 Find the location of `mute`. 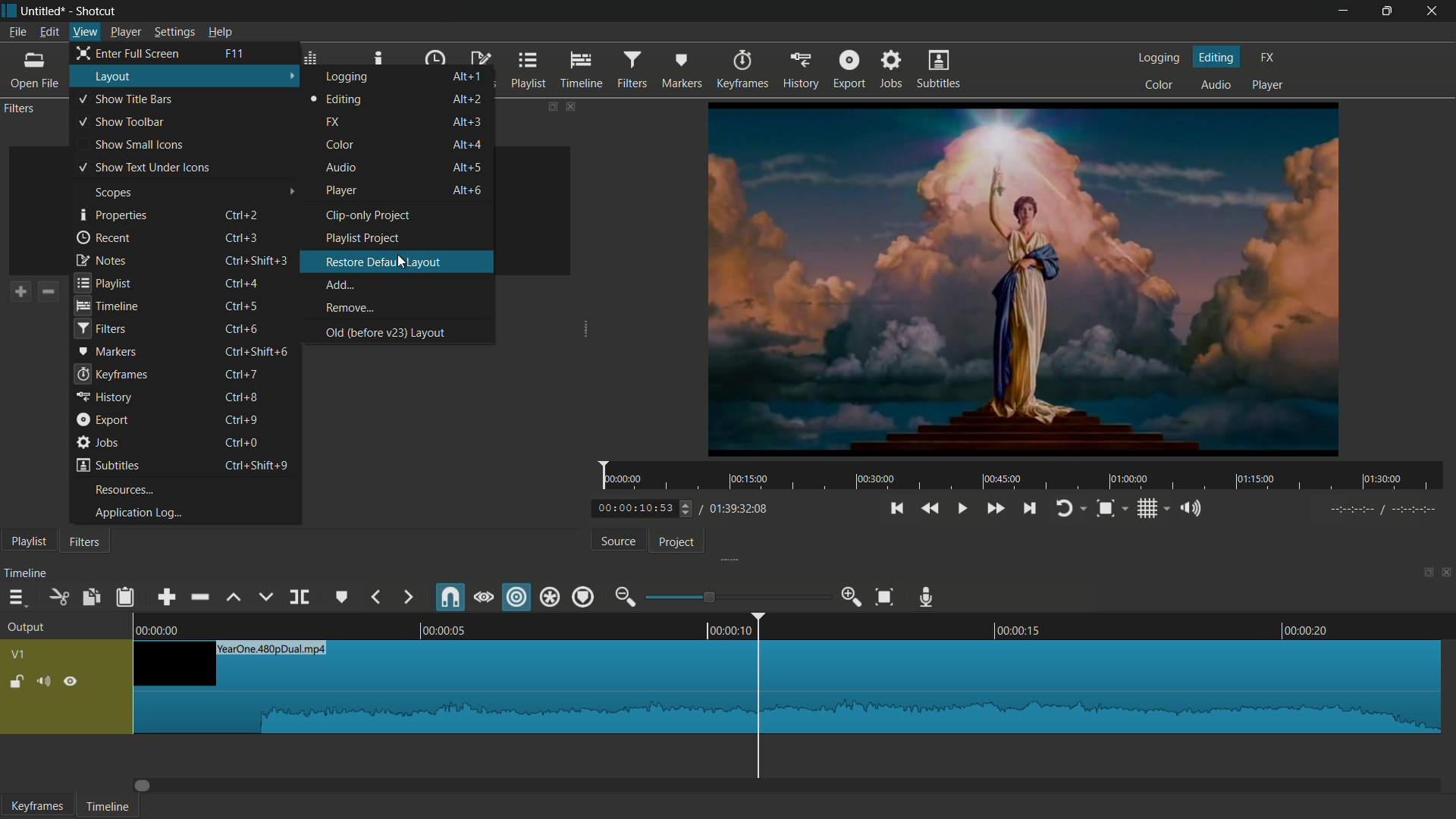

mute is located at coordinates (46, 682).